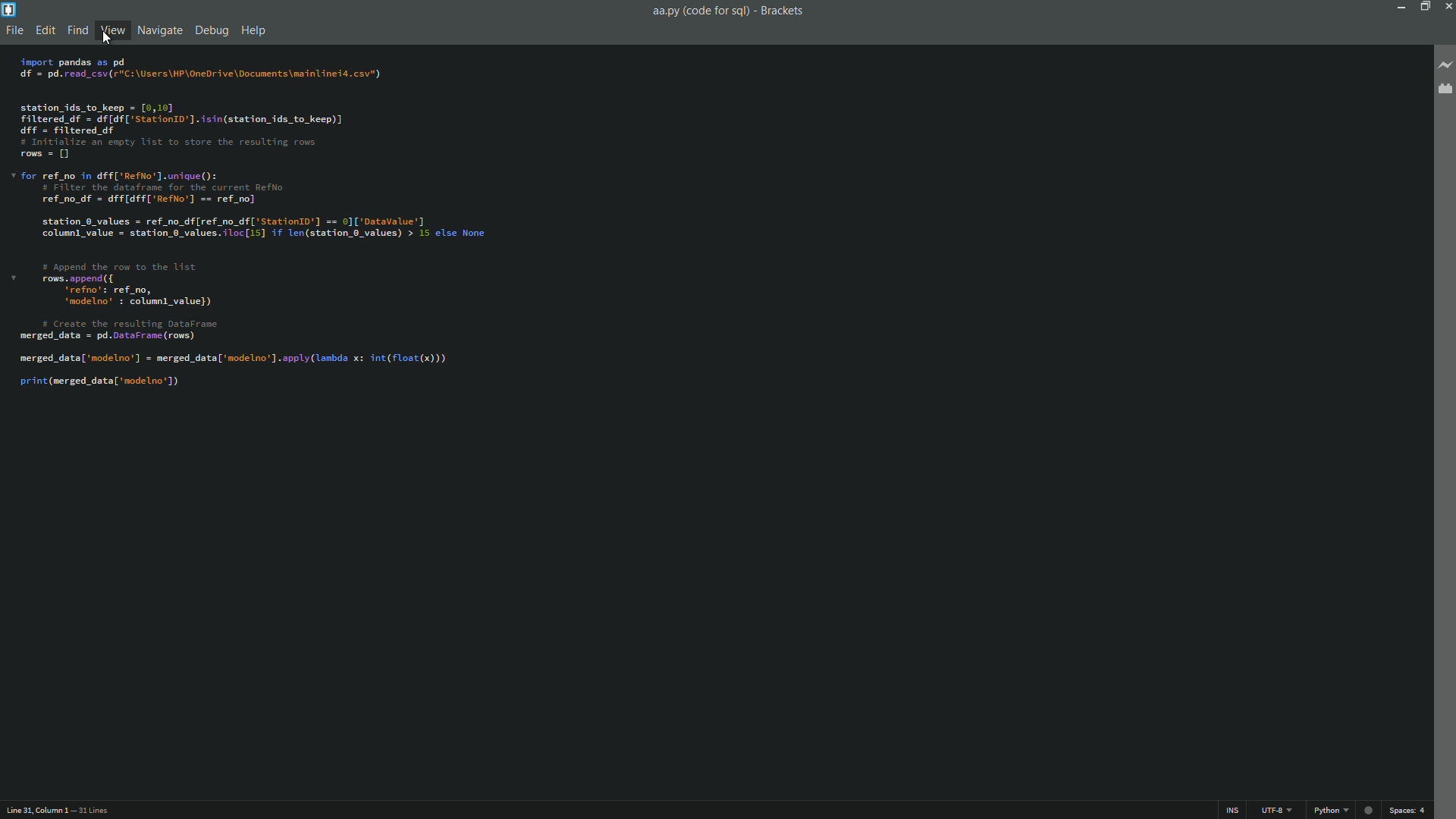  Describe the element at coordinates (1446, 64) in the screenshot. I see `live preview` at that location.